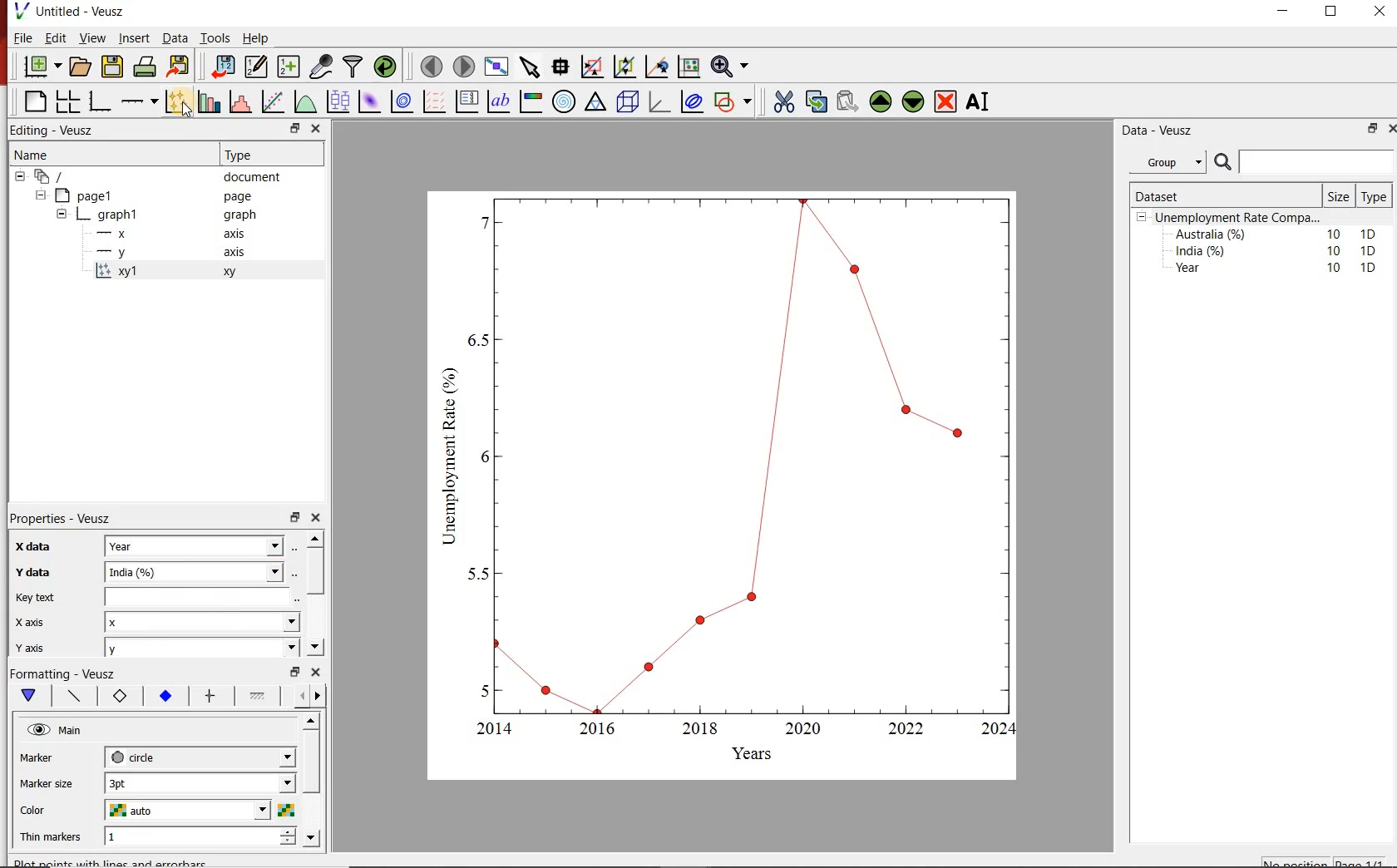  Describe the element at coordinates (258, 65) in the screenshot. I see `edit and enter new datasets` at that location.